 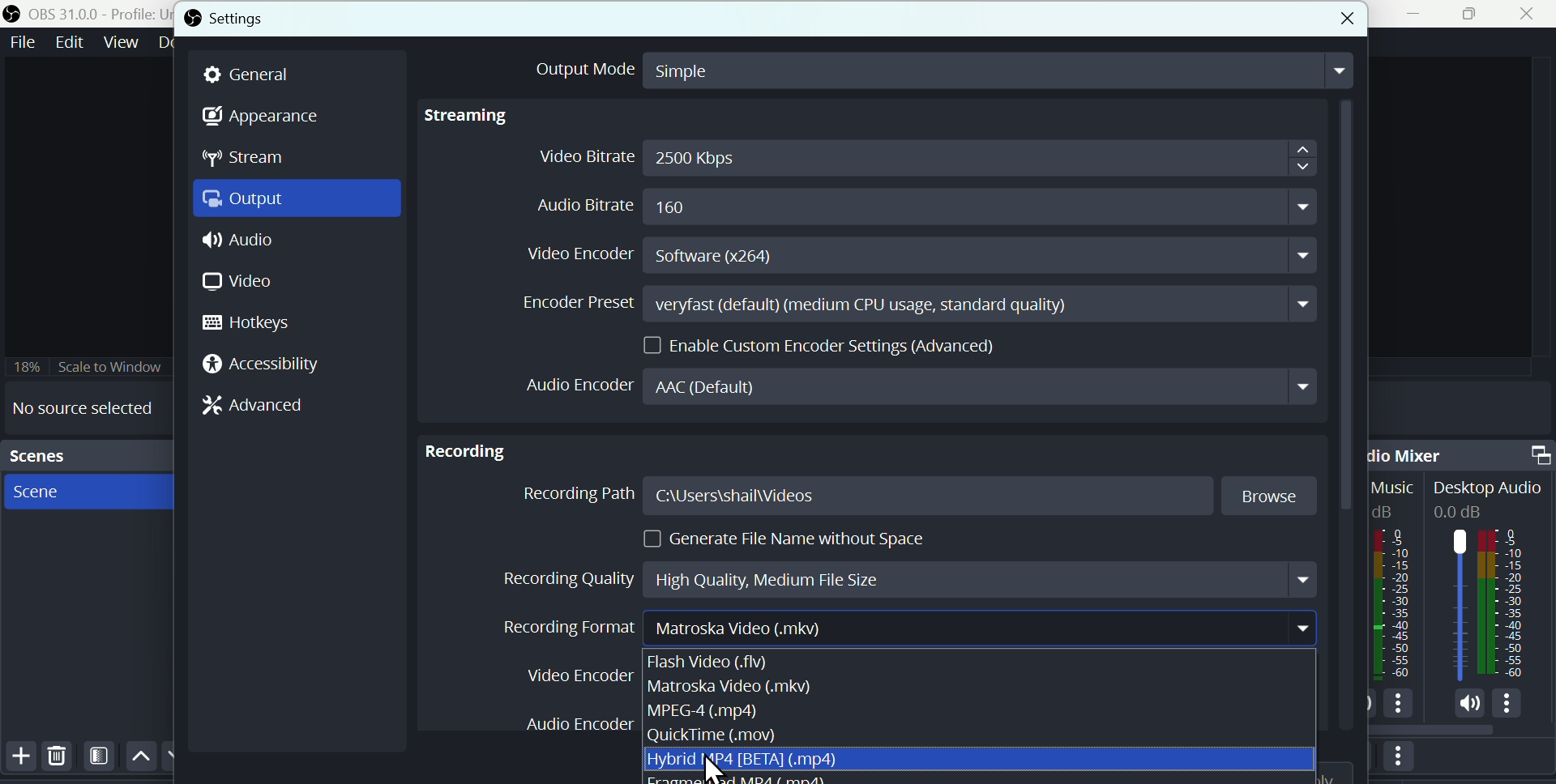 I want to click on hotkeys, so click(x=251, y=324).